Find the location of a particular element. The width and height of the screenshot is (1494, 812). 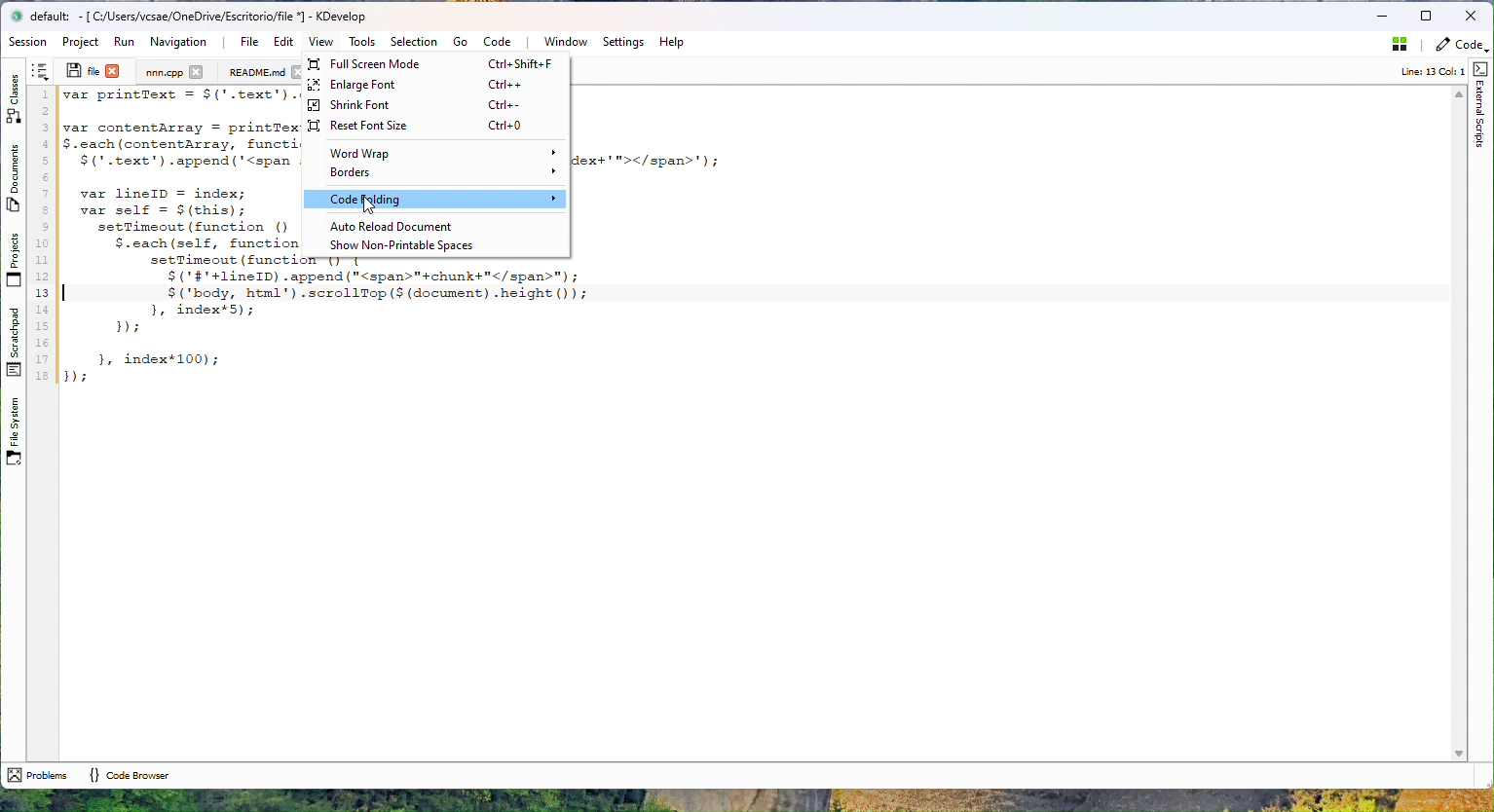

Code Folding is located at coordinates (435, 199).